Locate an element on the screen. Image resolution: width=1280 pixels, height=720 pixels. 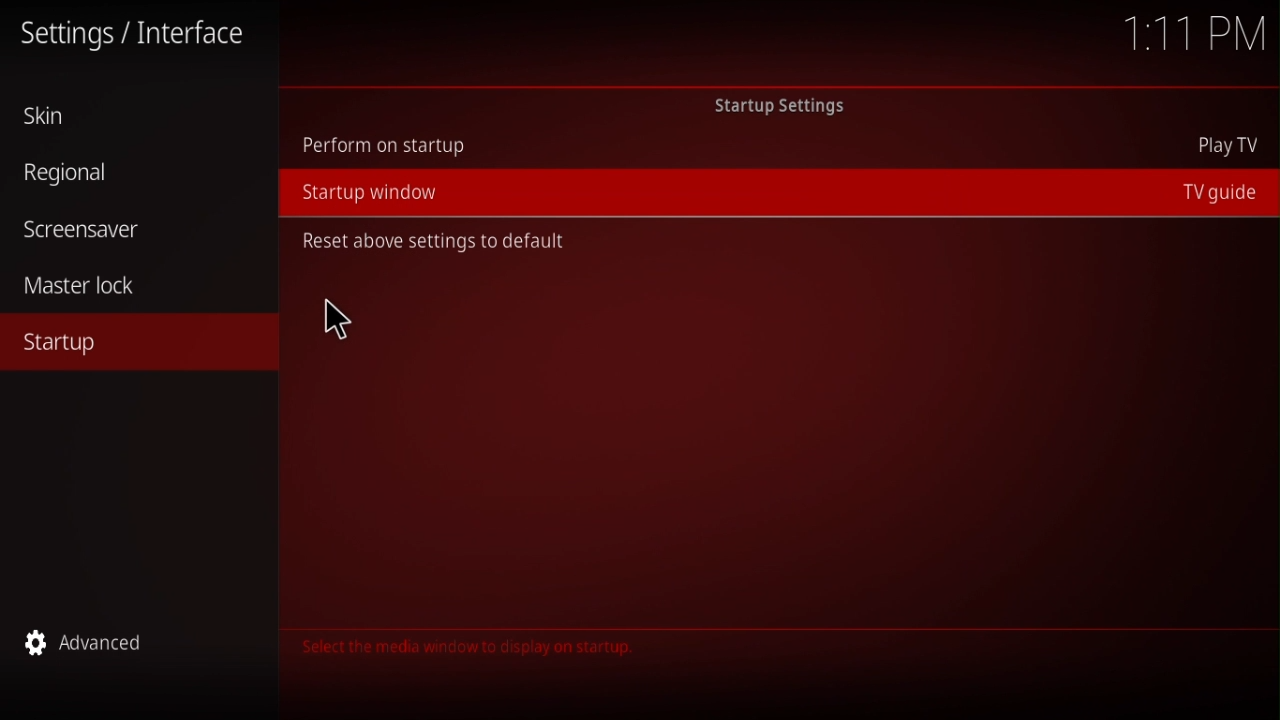
Startup window is located at coordinates (362, 193).